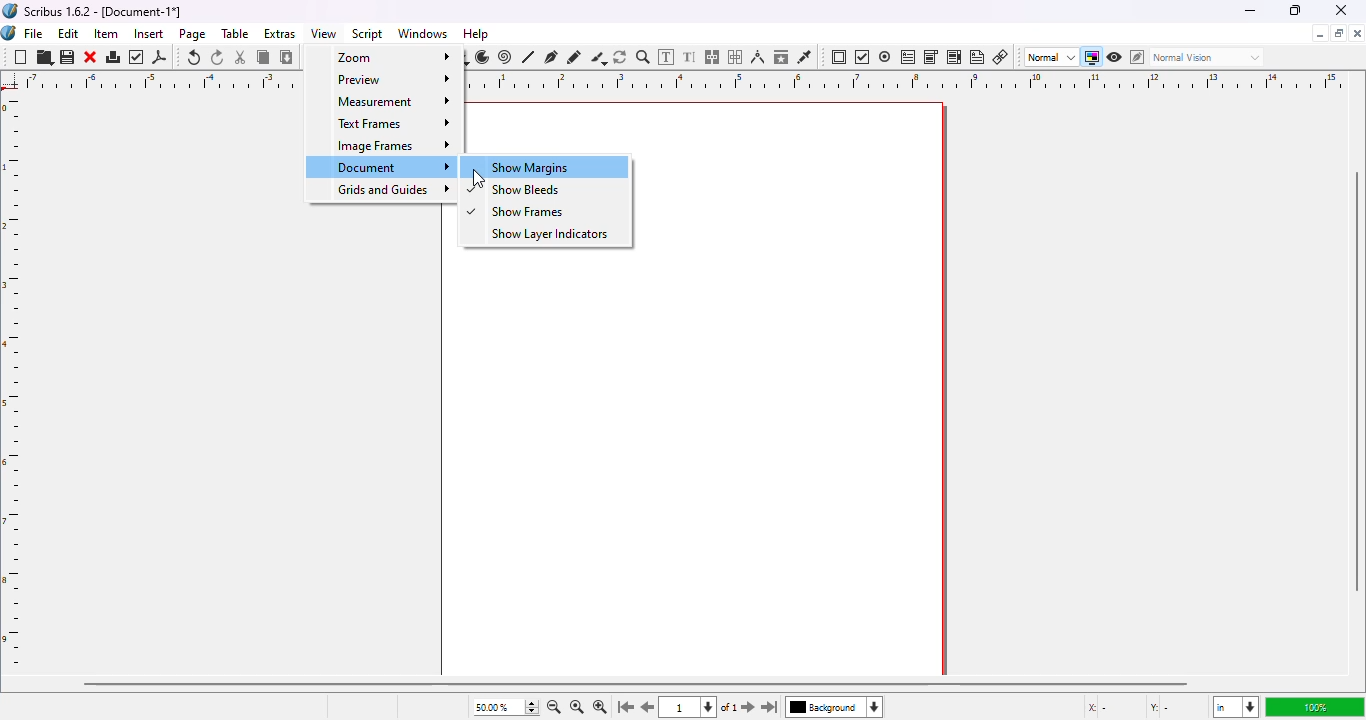  Describe the element at coordinates (550, 190) in the screenshot. I see `show bleeds` at that location.